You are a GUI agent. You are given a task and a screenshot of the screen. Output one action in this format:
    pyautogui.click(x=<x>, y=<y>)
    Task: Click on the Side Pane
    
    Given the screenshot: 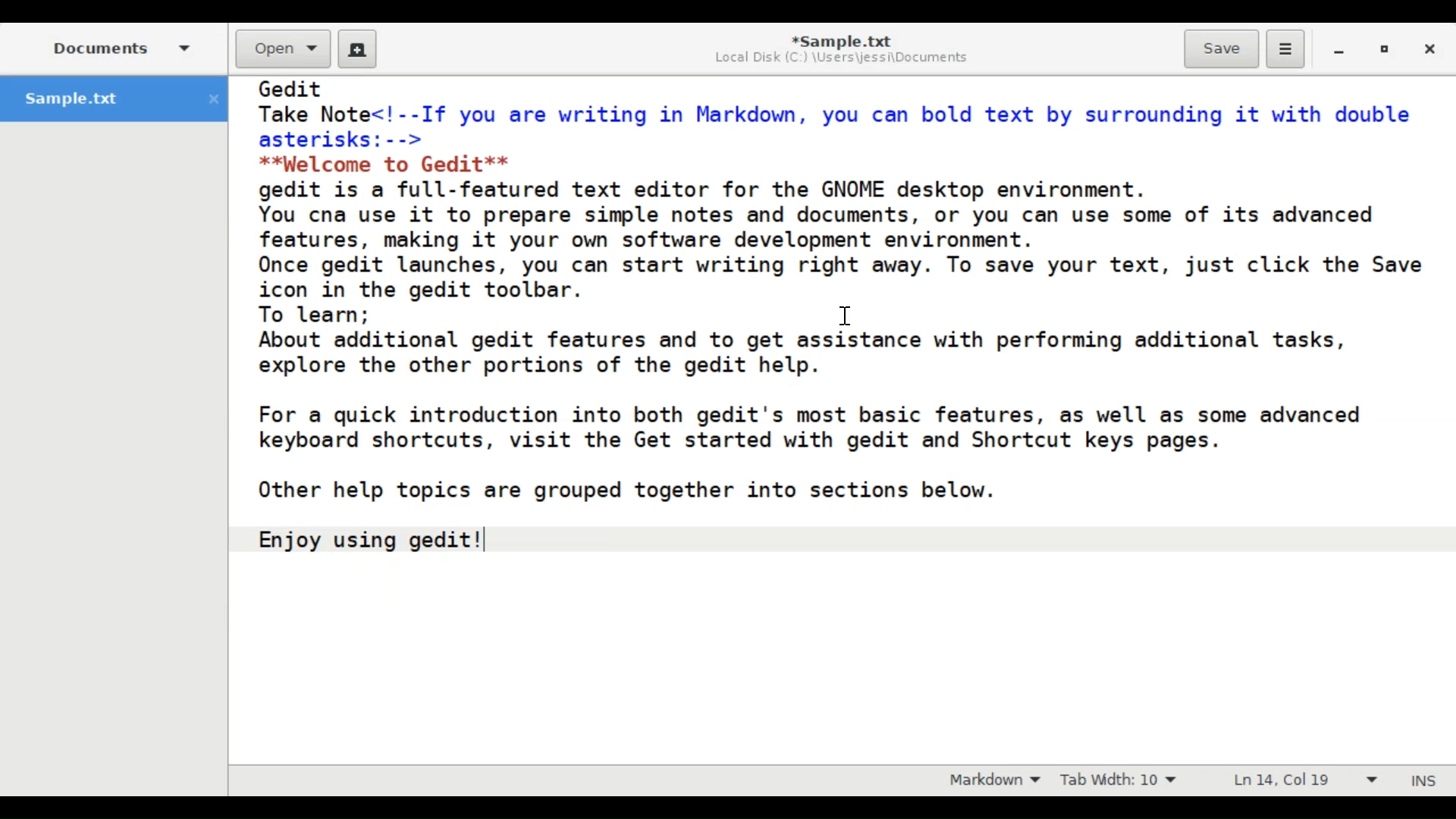 What is the action you would take?
    pyautogui.click(x=121, y=47)
    